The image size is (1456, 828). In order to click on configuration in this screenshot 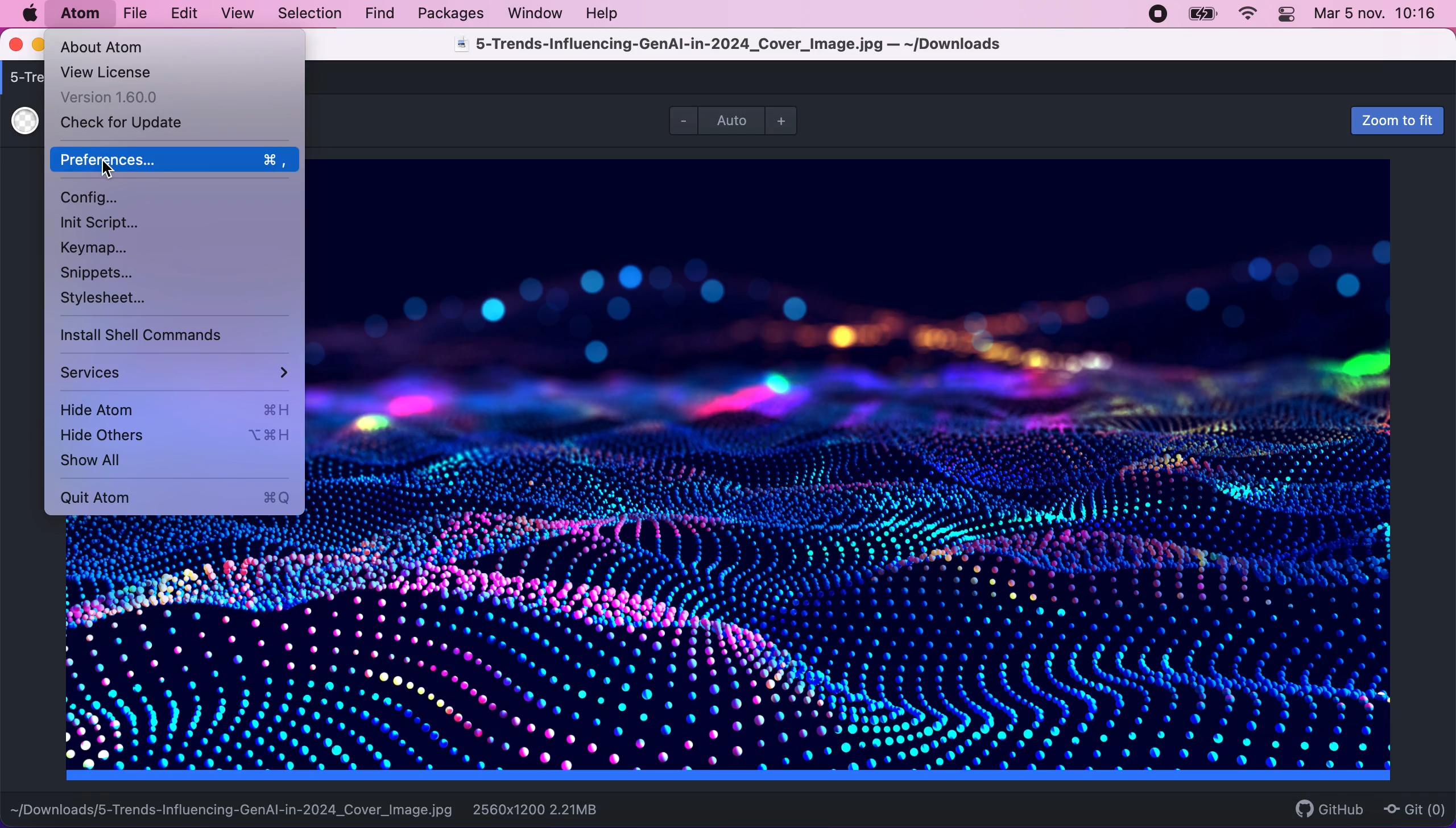, I will do `click(97, 196)`.